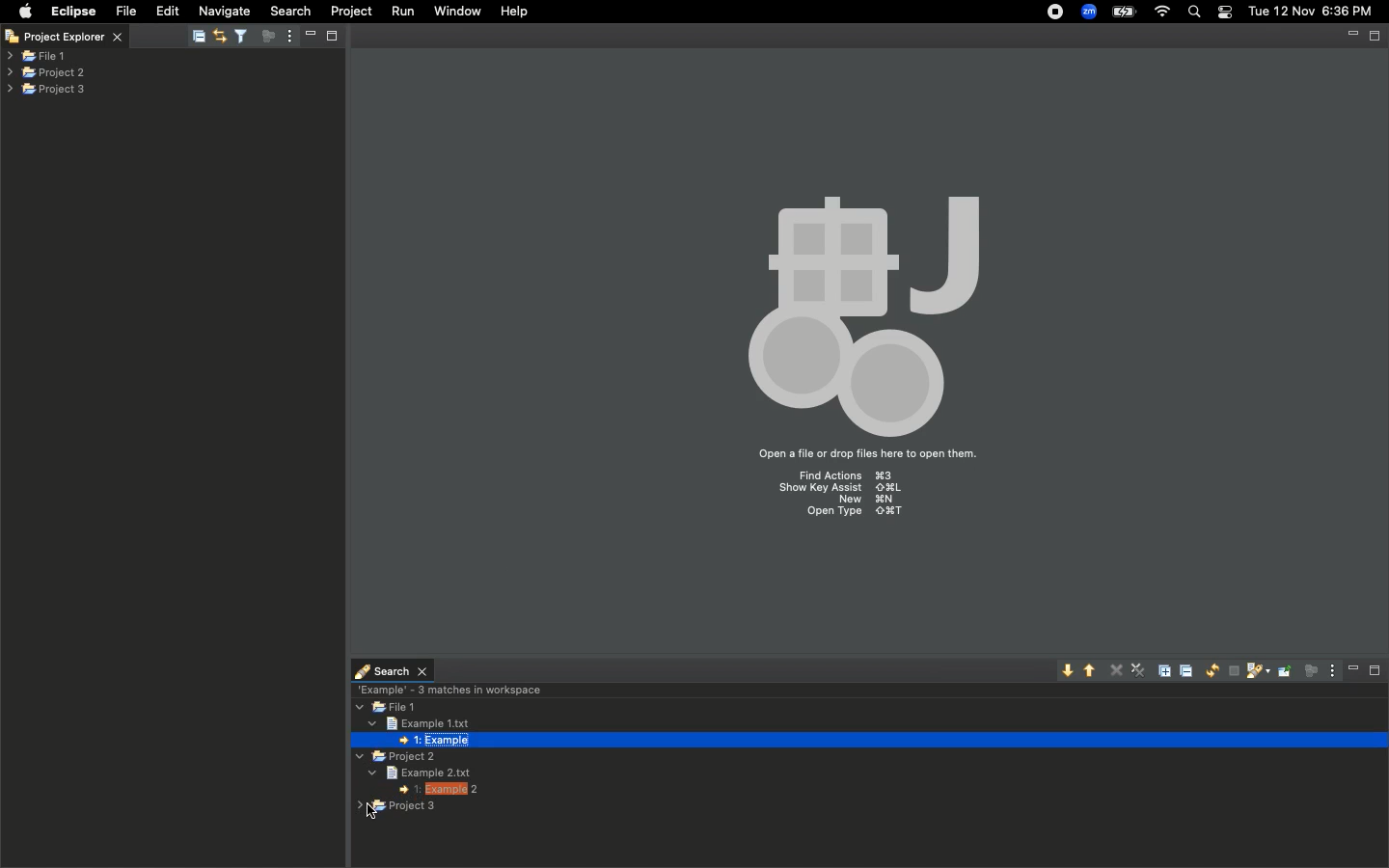 This screenshot has width=1389, height=868. What do you see at coordinates (1256, 671) in the screenshot?
I see `Show previous searches` at bounding box center [1256, 671].